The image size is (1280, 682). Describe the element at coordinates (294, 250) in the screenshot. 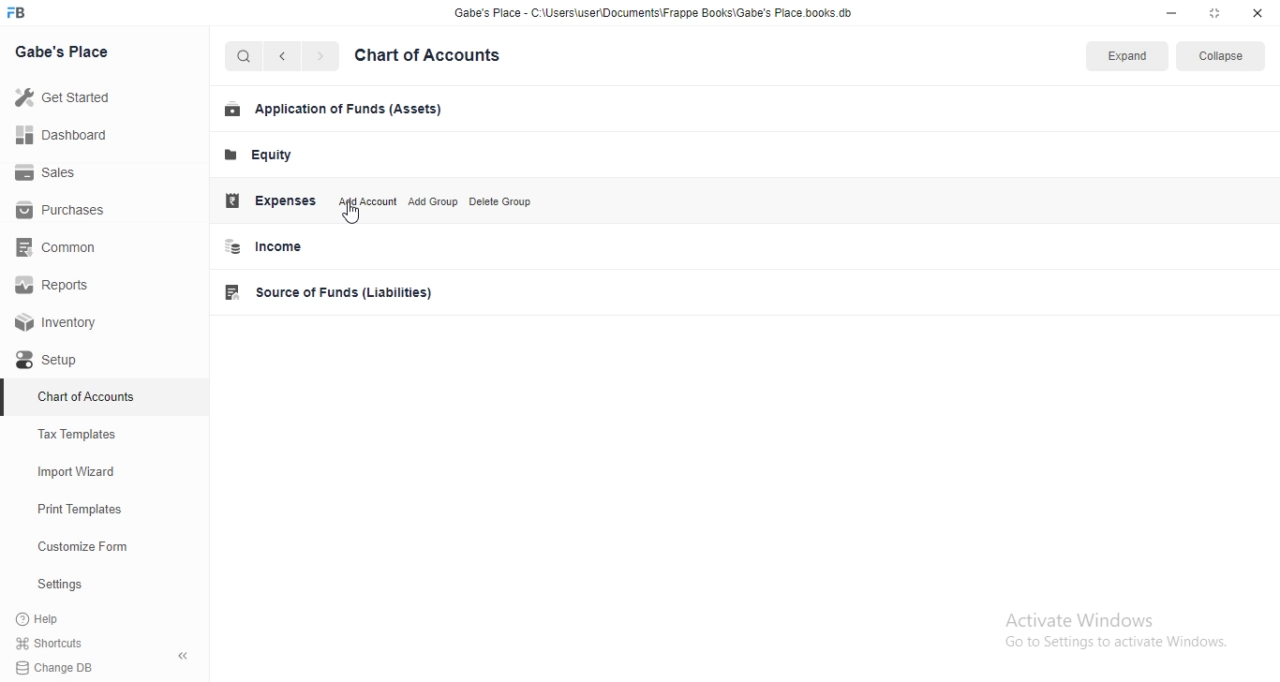

I see `Income` at that location.